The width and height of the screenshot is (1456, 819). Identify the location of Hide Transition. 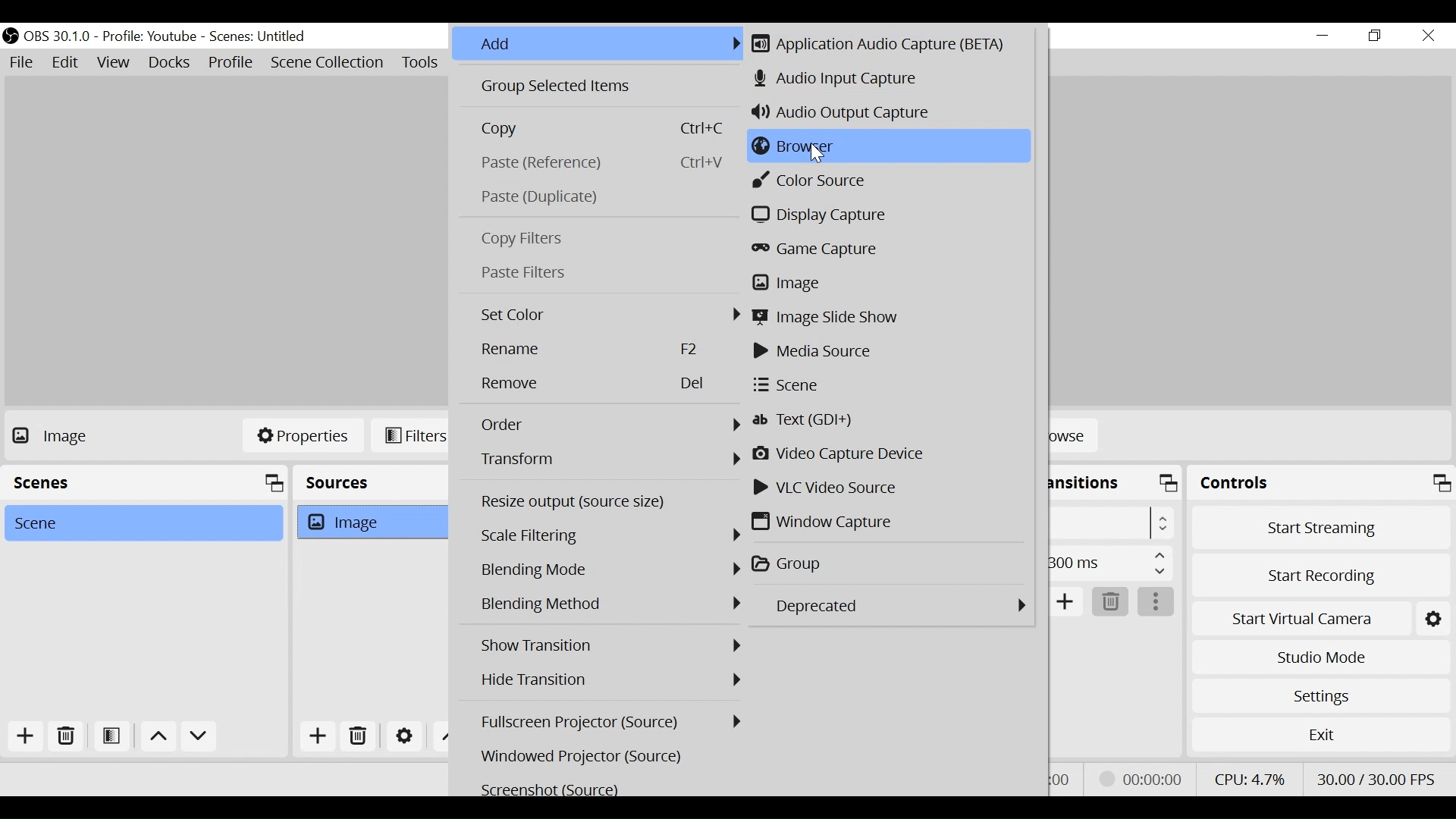
(613, 680).